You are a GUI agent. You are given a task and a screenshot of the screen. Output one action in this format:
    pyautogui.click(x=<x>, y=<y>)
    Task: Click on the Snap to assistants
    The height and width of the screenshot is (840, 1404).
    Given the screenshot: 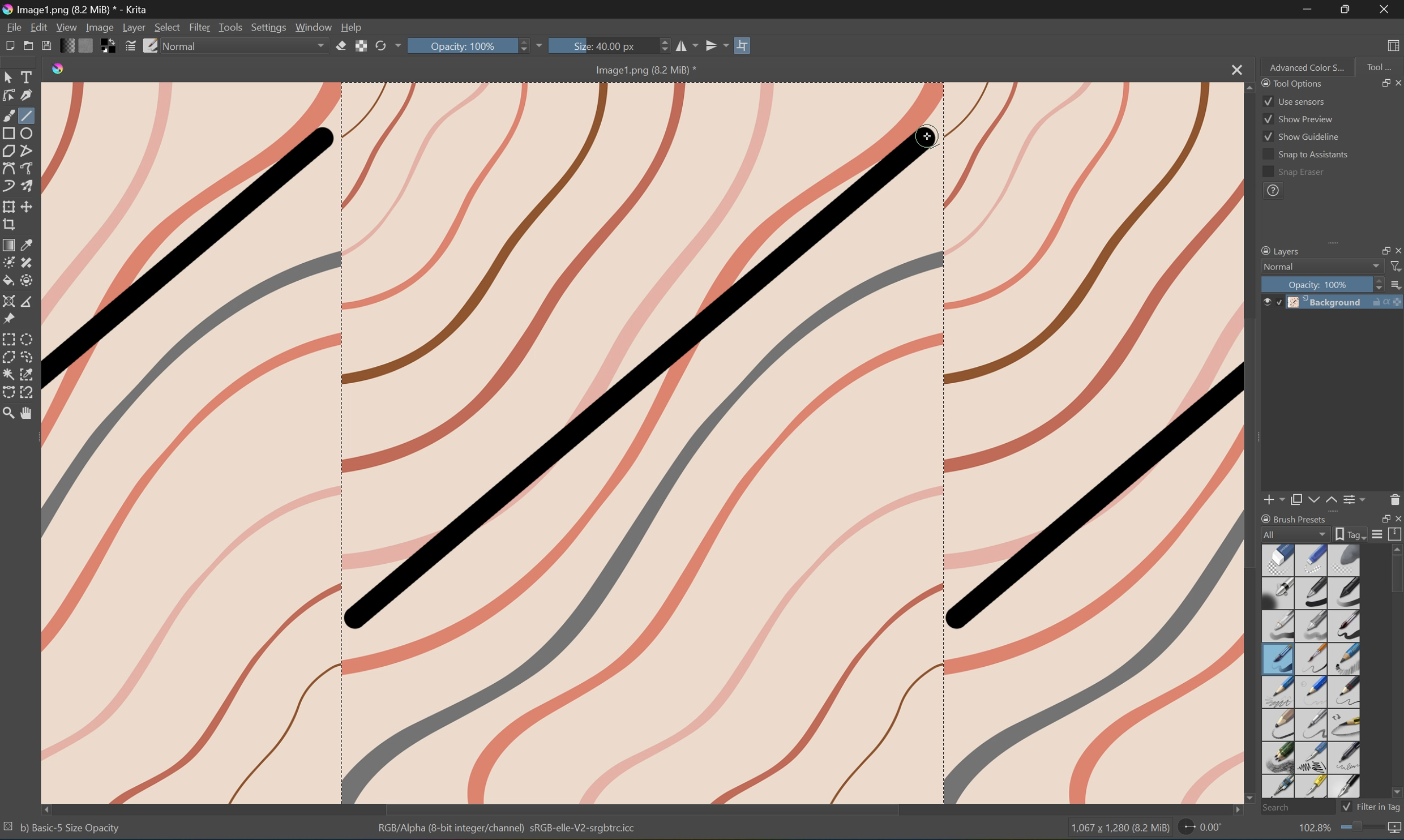 What is the action you would take?
    pyautogui.click(x=1304, y=155)
    